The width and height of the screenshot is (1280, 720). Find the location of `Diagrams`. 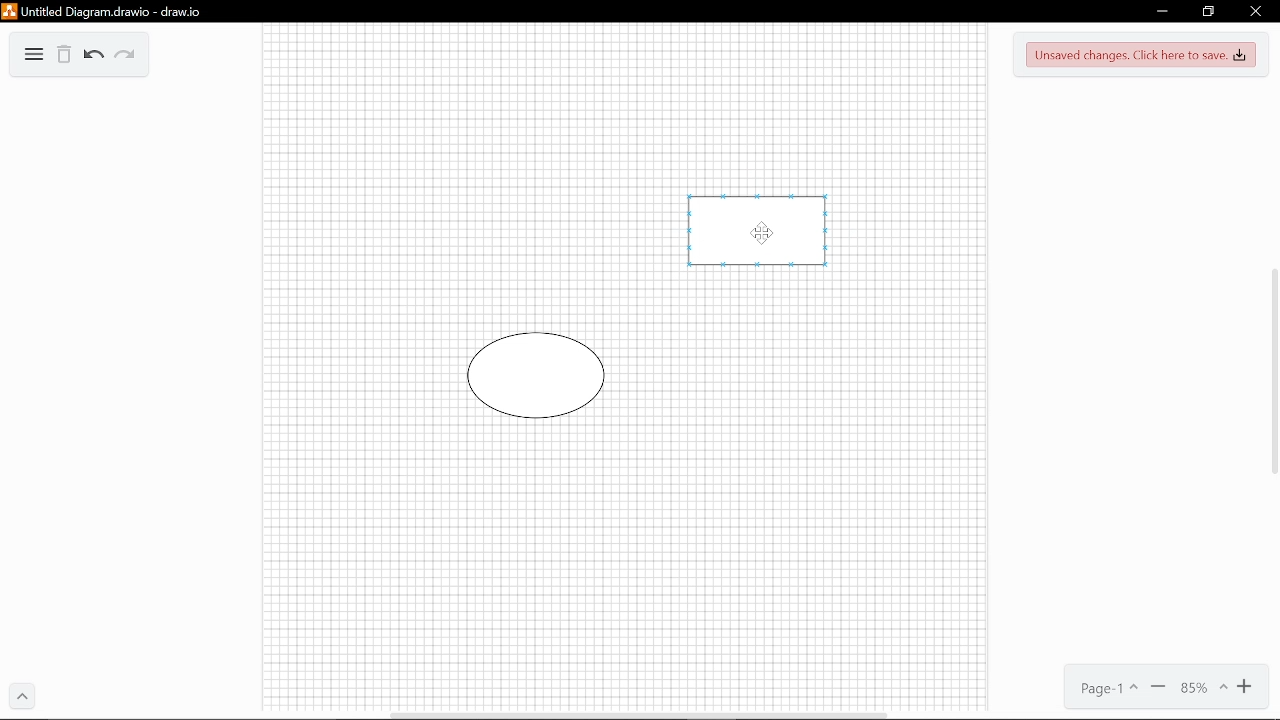

Diagrams is located at coordinates (34, 57).